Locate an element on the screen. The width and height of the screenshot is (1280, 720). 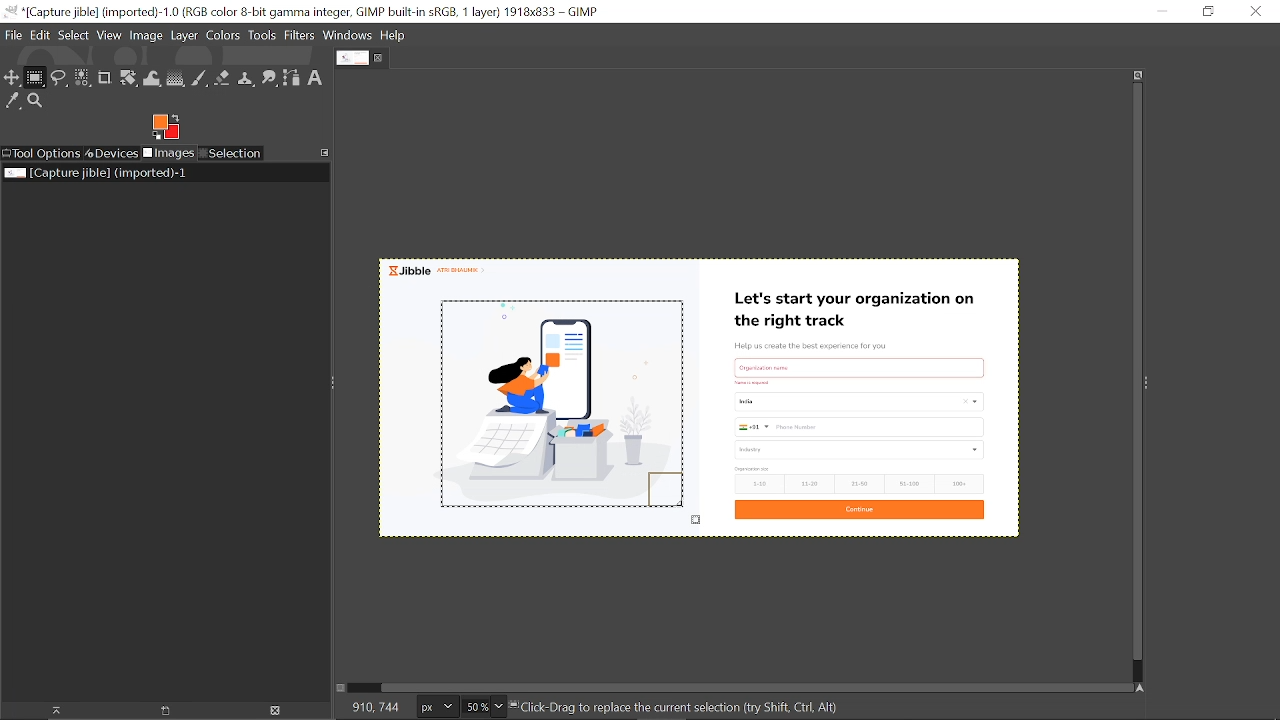
Restore down is located at coordinates (1202, 12).